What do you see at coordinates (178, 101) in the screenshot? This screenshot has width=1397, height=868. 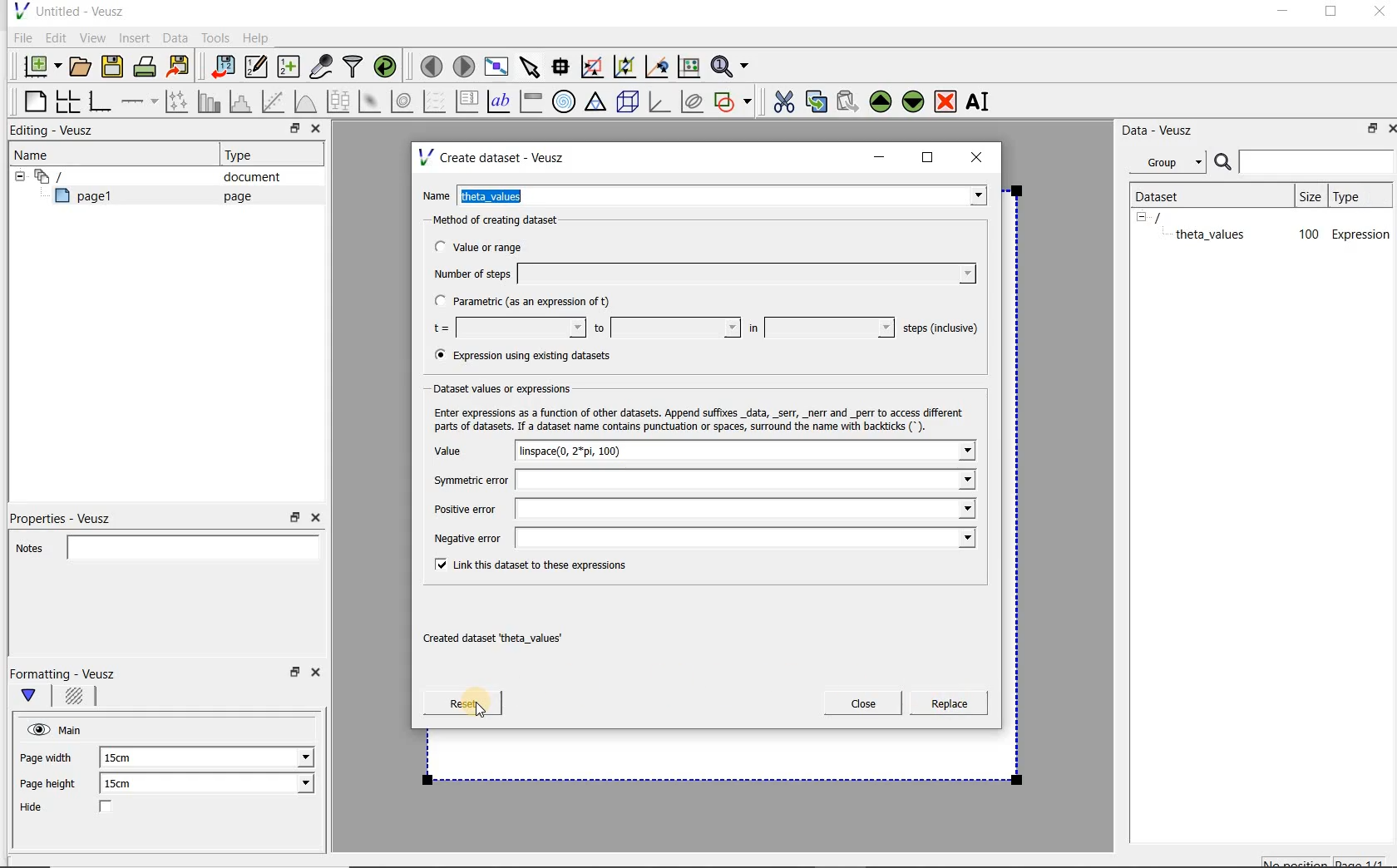 I see `Plot points with lines and error bars` at bounding box center [178, 101].